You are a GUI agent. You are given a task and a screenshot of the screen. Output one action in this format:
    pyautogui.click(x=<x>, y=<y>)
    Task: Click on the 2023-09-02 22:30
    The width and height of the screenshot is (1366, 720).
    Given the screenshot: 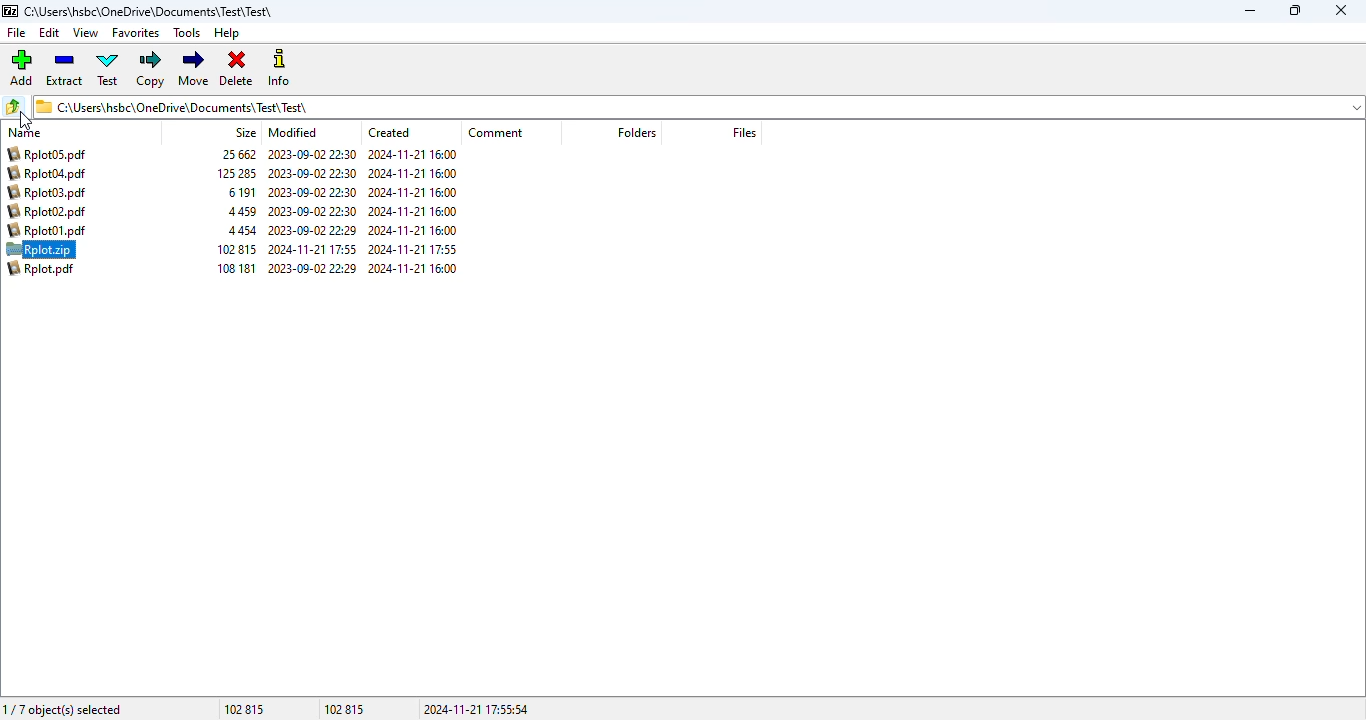 What is the action you would take?
    pyautogui.click(x=312, y=154)
    